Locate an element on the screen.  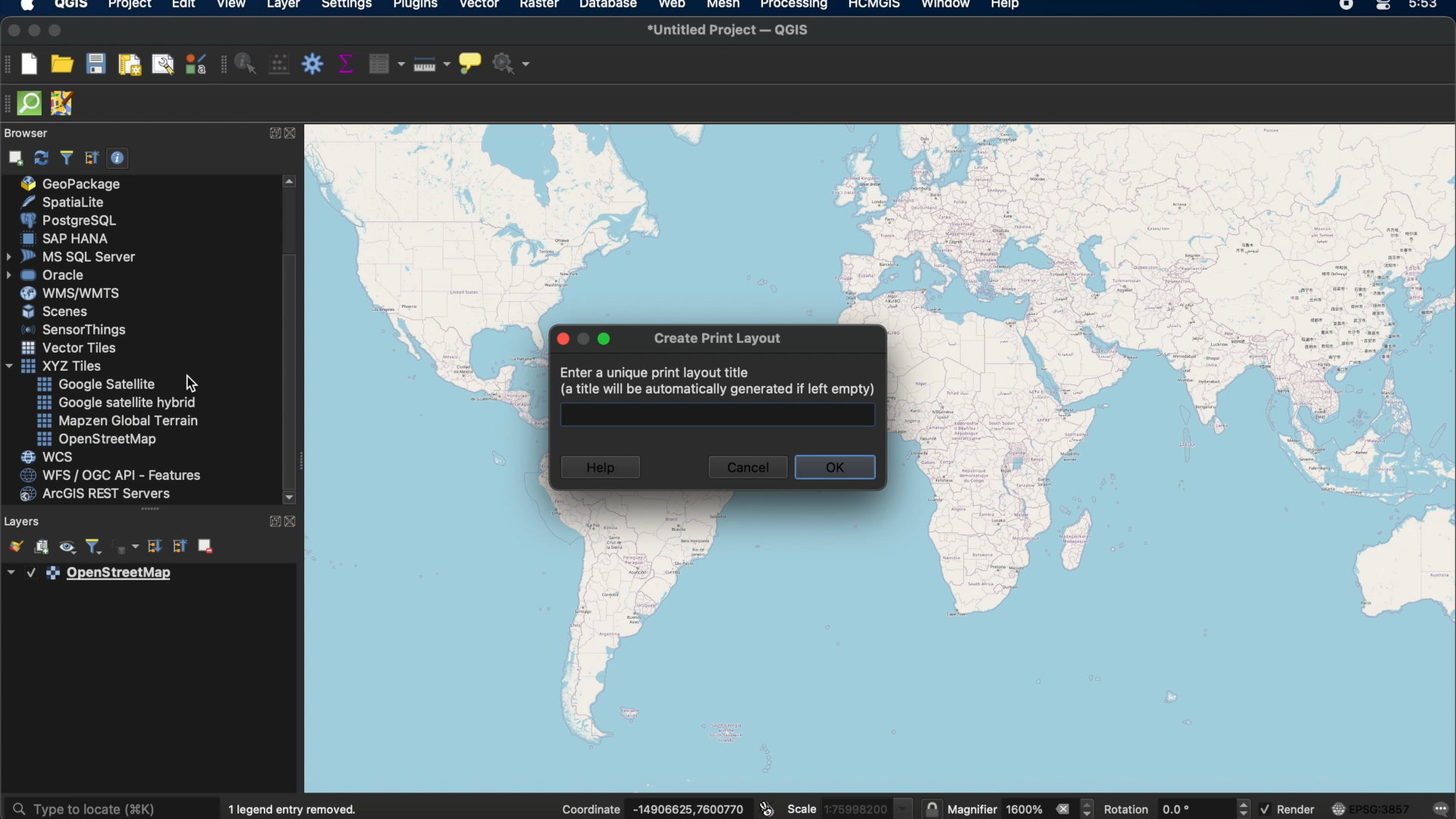
sap hana is located at coordinates (75, 238).